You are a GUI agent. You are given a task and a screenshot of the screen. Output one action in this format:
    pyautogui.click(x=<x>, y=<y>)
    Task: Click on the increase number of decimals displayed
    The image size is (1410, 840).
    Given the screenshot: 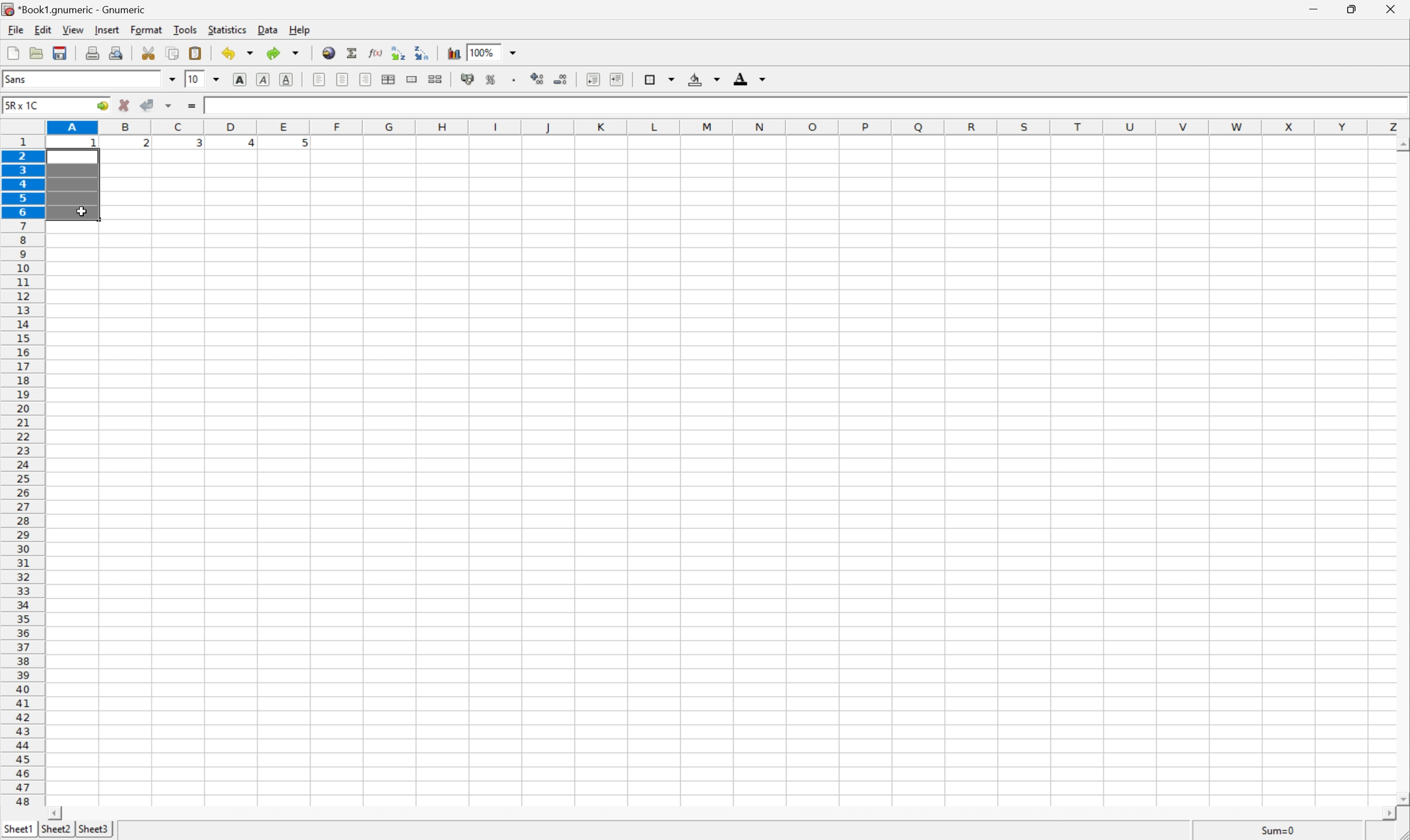 What is the action you would take?
    pyautogui.click(x=539, y=79)
    